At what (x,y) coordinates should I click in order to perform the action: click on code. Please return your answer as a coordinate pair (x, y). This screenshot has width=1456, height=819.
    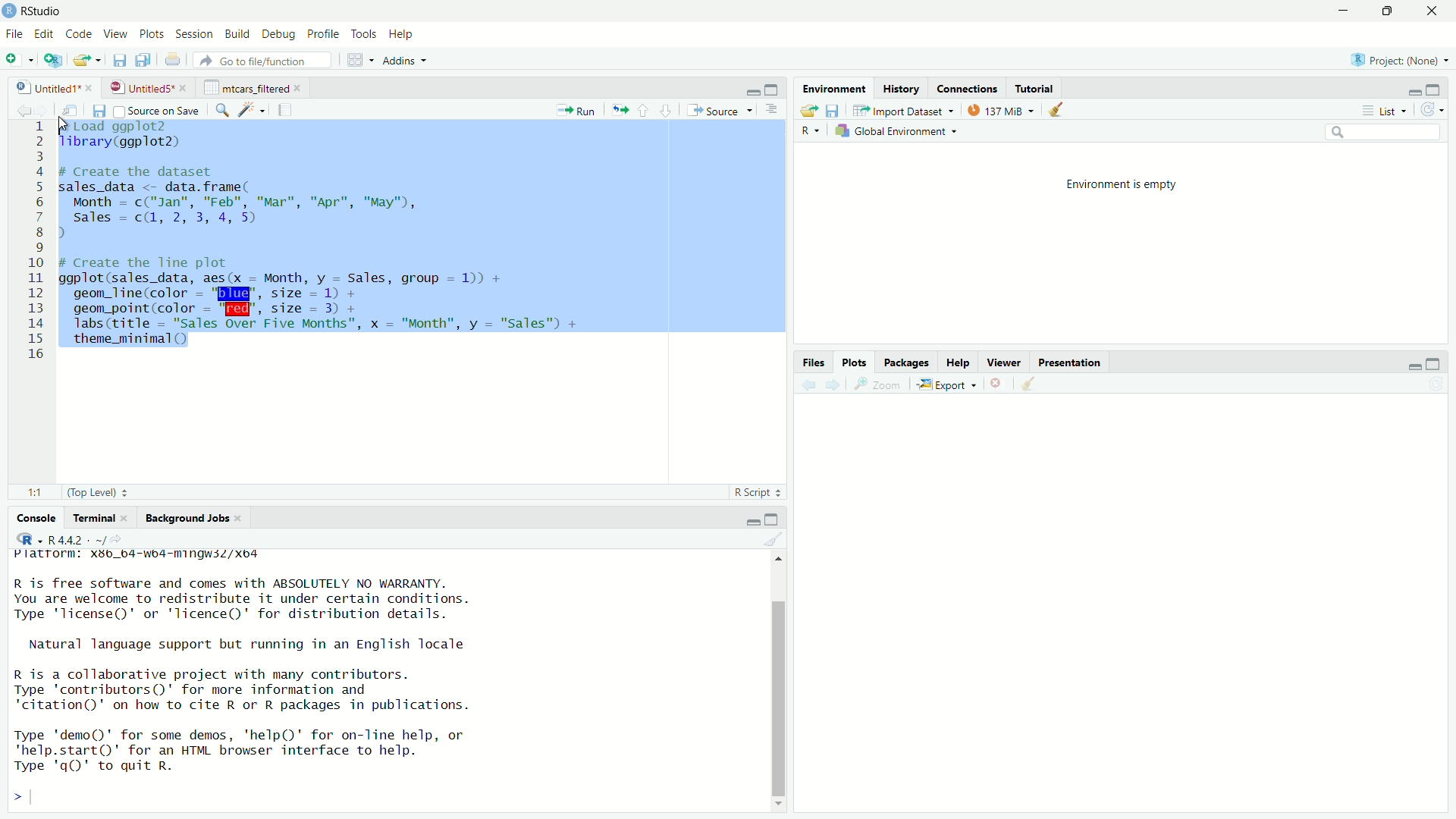
    Looking at the image, I should click on (81, 34).